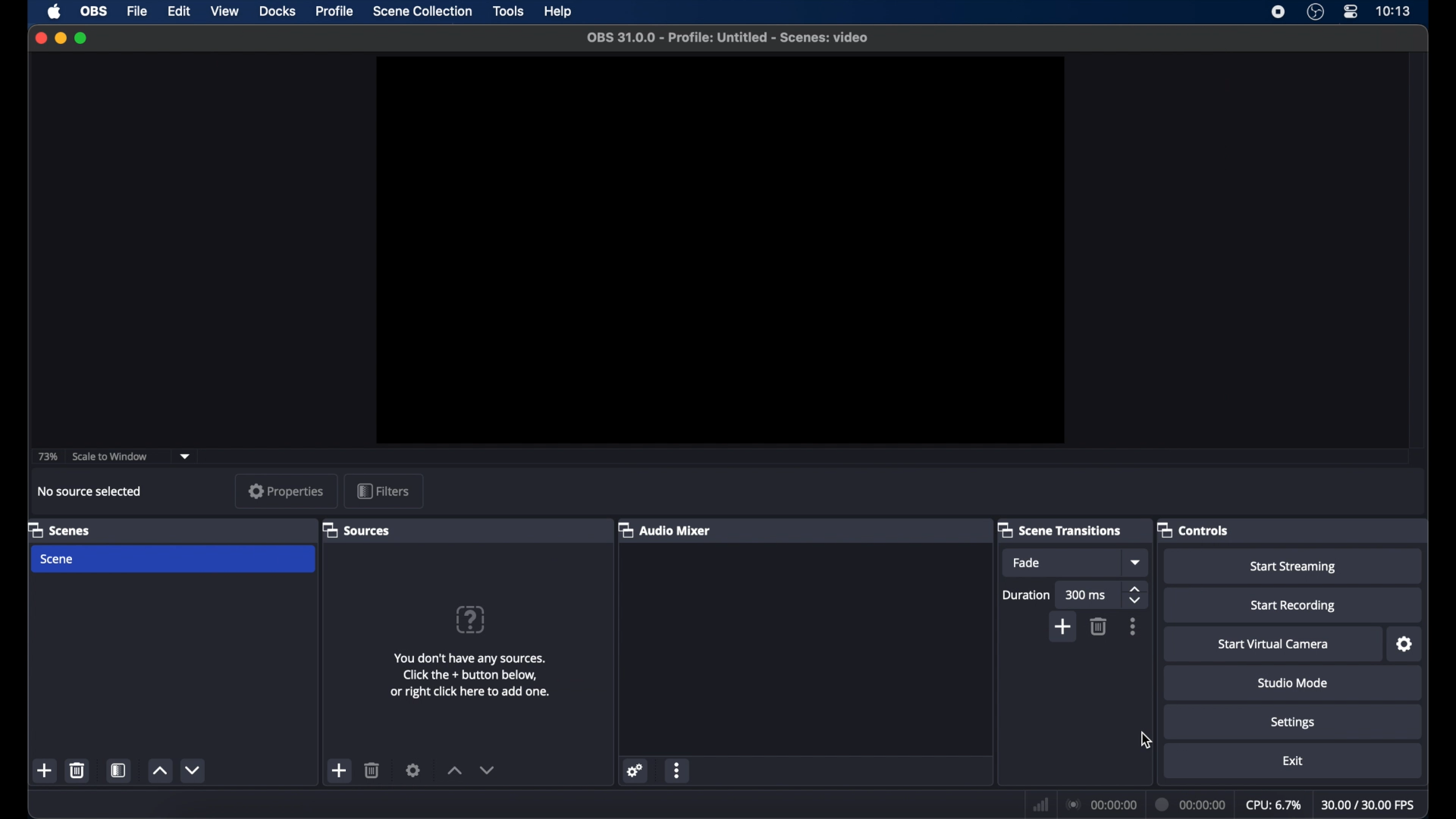  I want to click on settings, so click(1294, 723).